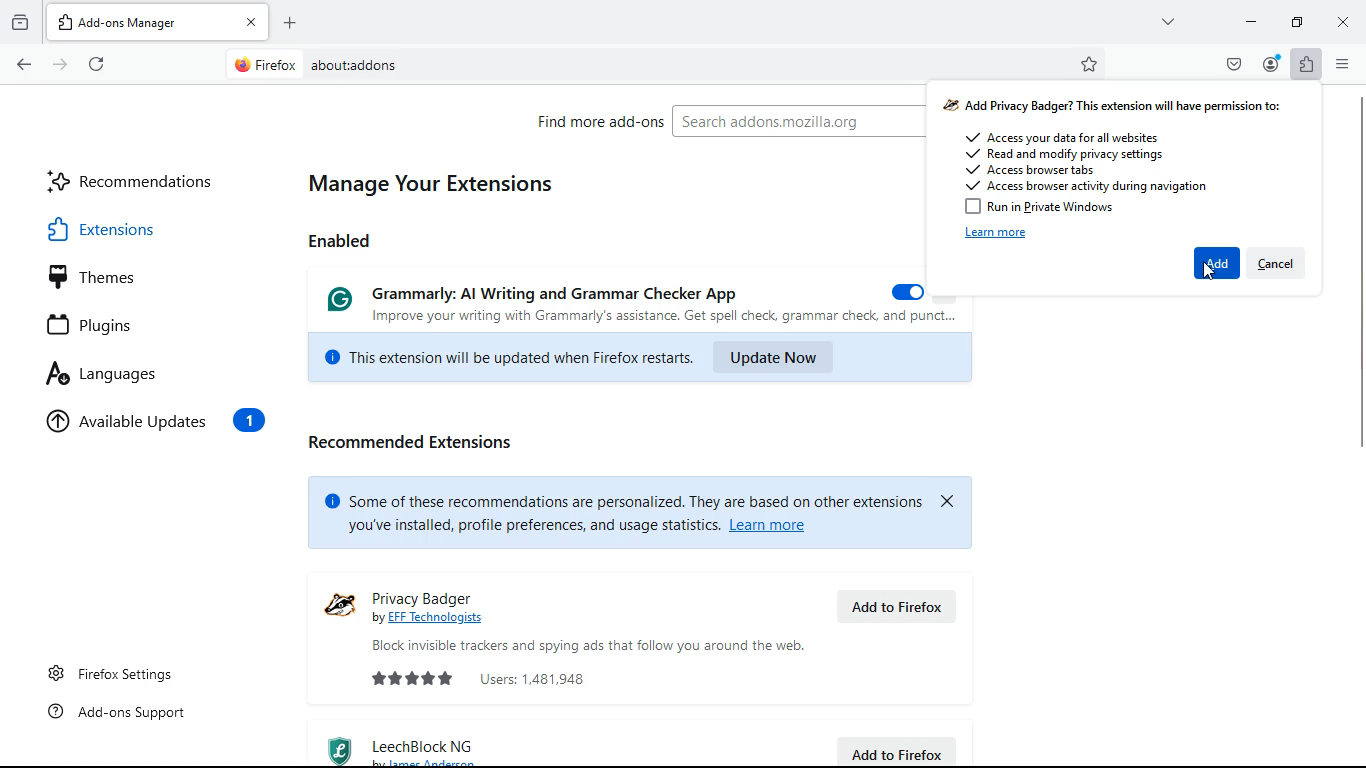 The height and width of the screenshot is (768, 1366). Describe the element at coordinates (92, 64) in the screenshot. I see `refresh` at that location.